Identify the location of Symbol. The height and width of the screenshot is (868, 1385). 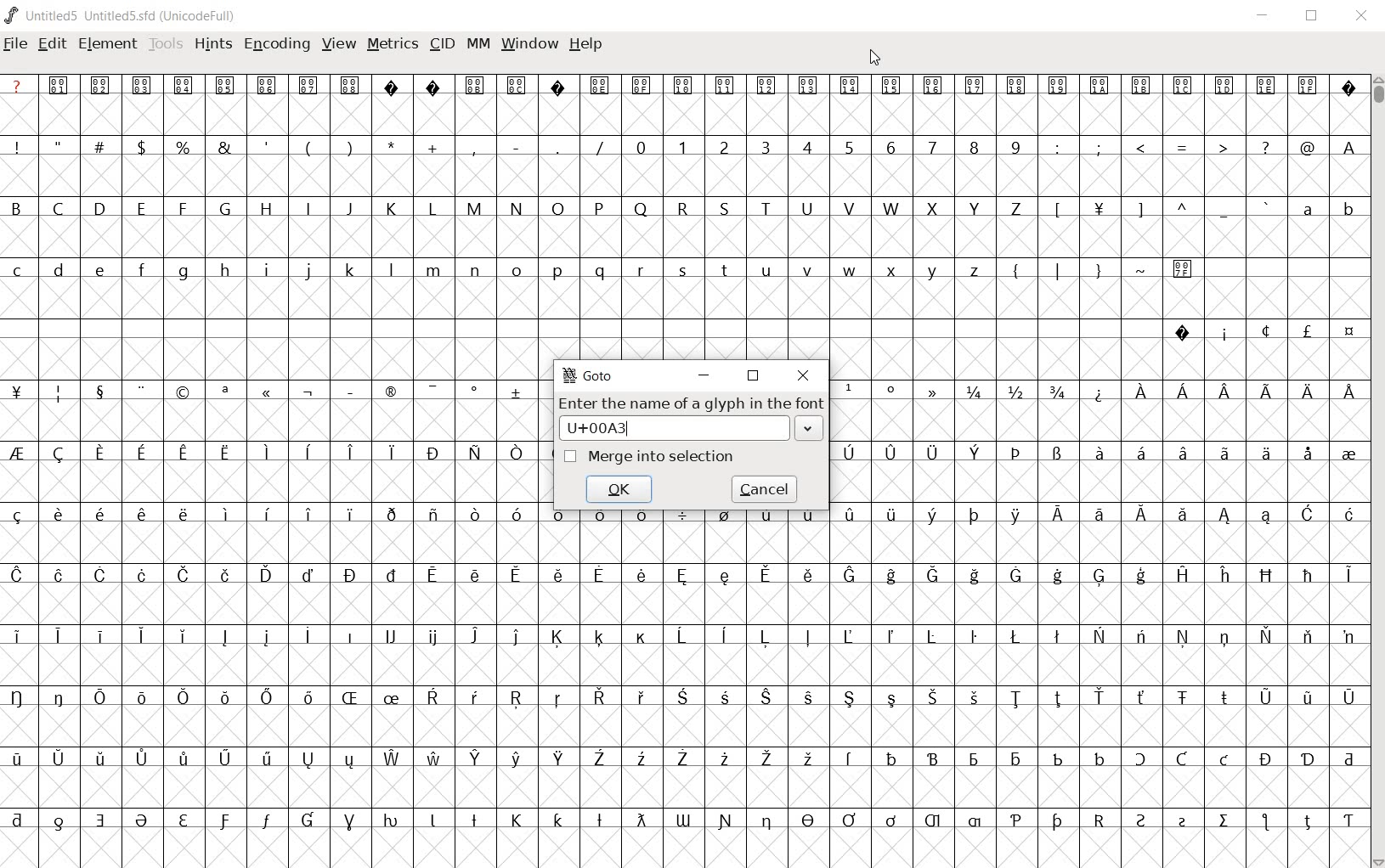
(601, 699).